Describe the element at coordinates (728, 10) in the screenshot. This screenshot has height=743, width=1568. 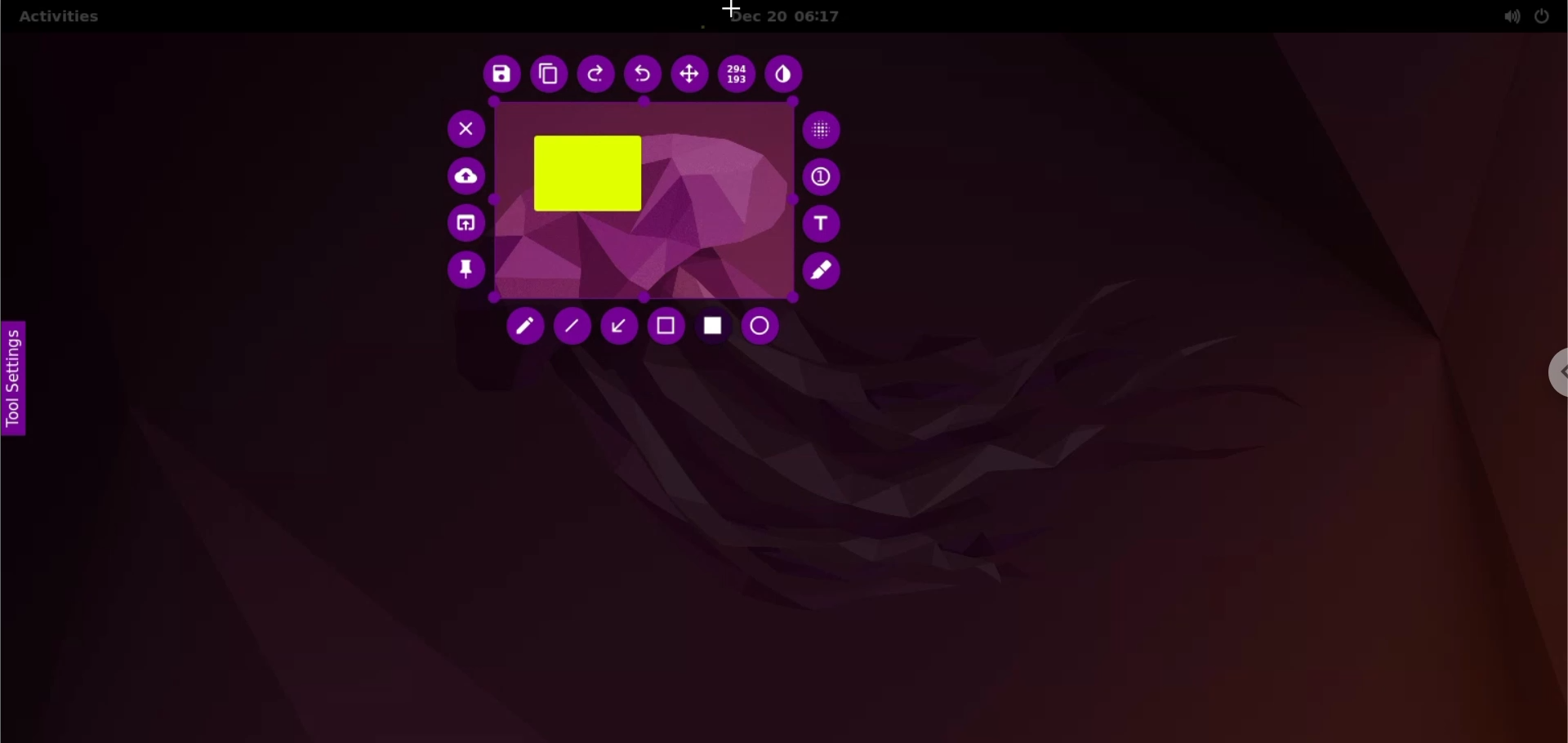
I see `cursor` at that location.